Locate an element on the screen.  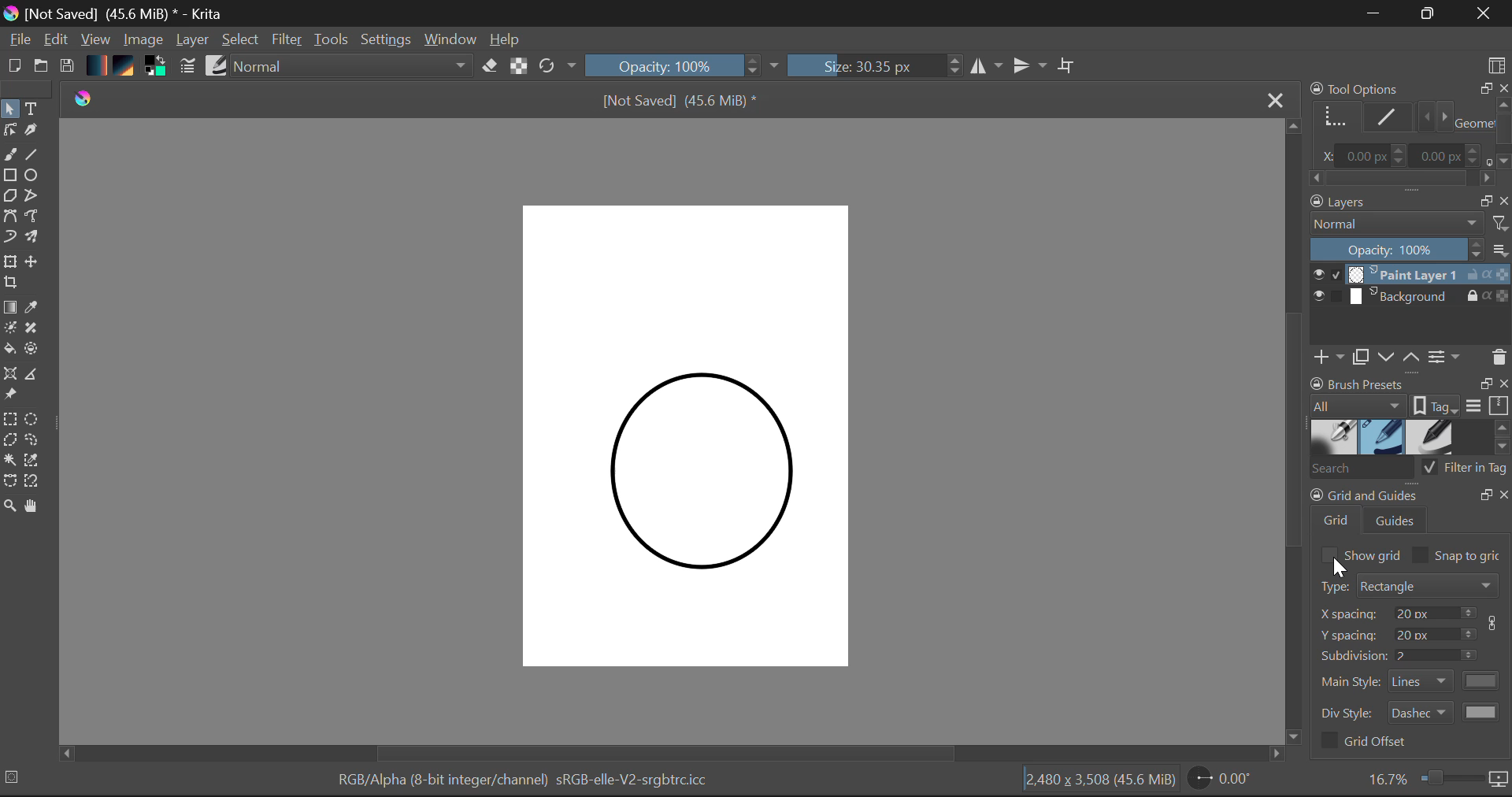
Dynamic Paintbrush is located at coordinates (9, 238).